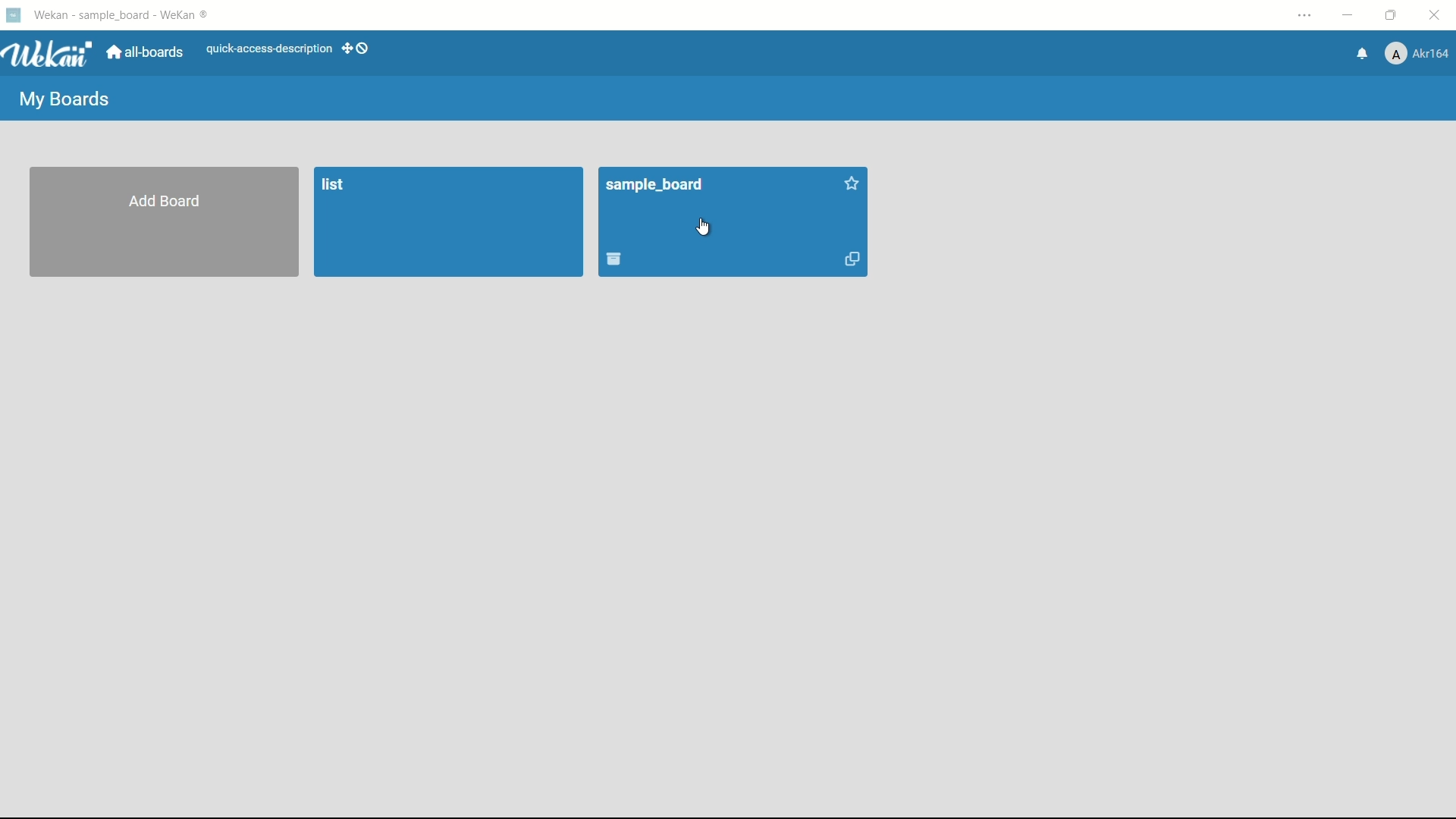 The height and width of the screenshot is (819, 1456). Describe the element at coordinates (450, 221) in the screenshot. I see `list` at that location.